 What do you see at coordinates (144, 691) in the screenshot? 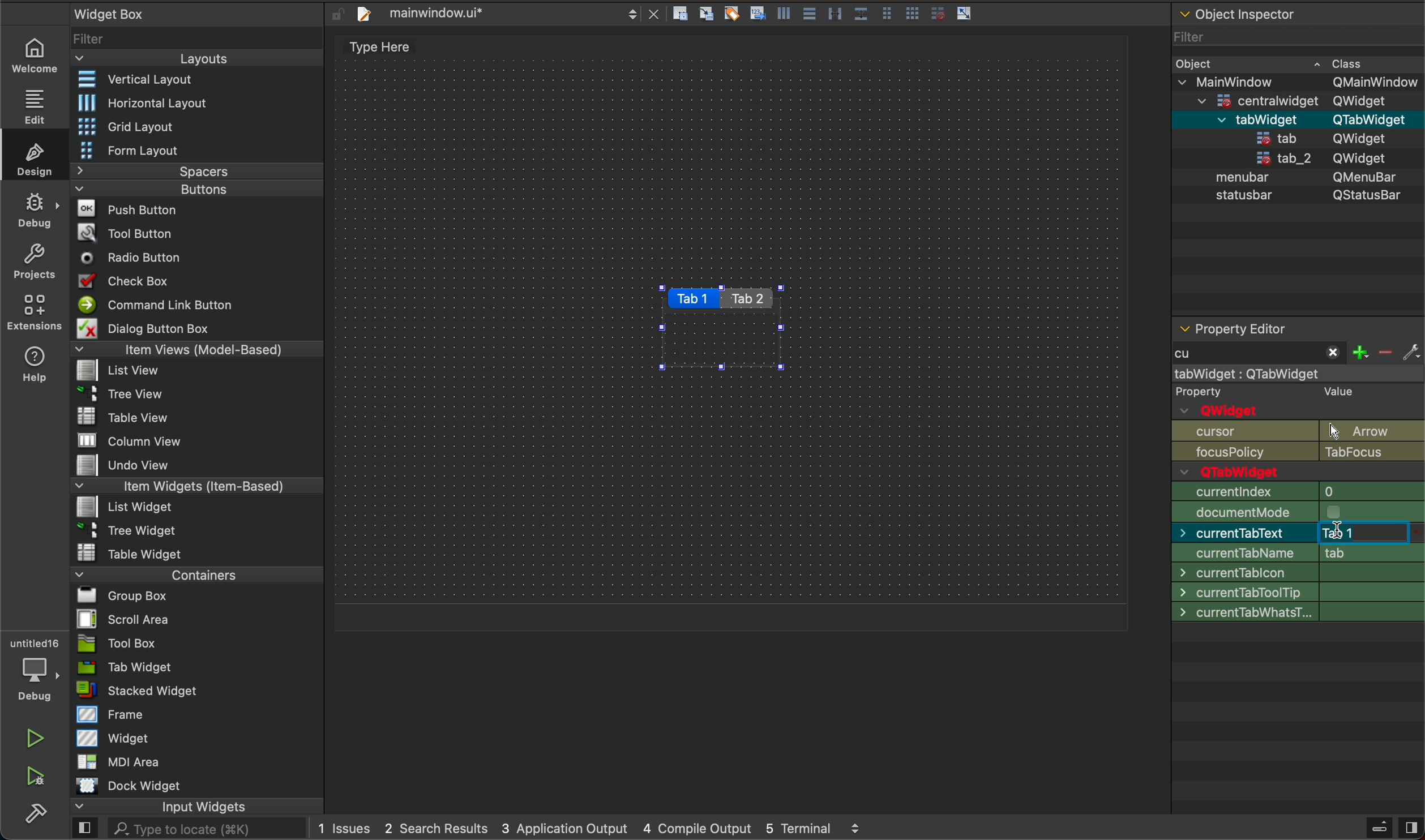
I see `= stacked Widget` at bounding box center [144, 691].